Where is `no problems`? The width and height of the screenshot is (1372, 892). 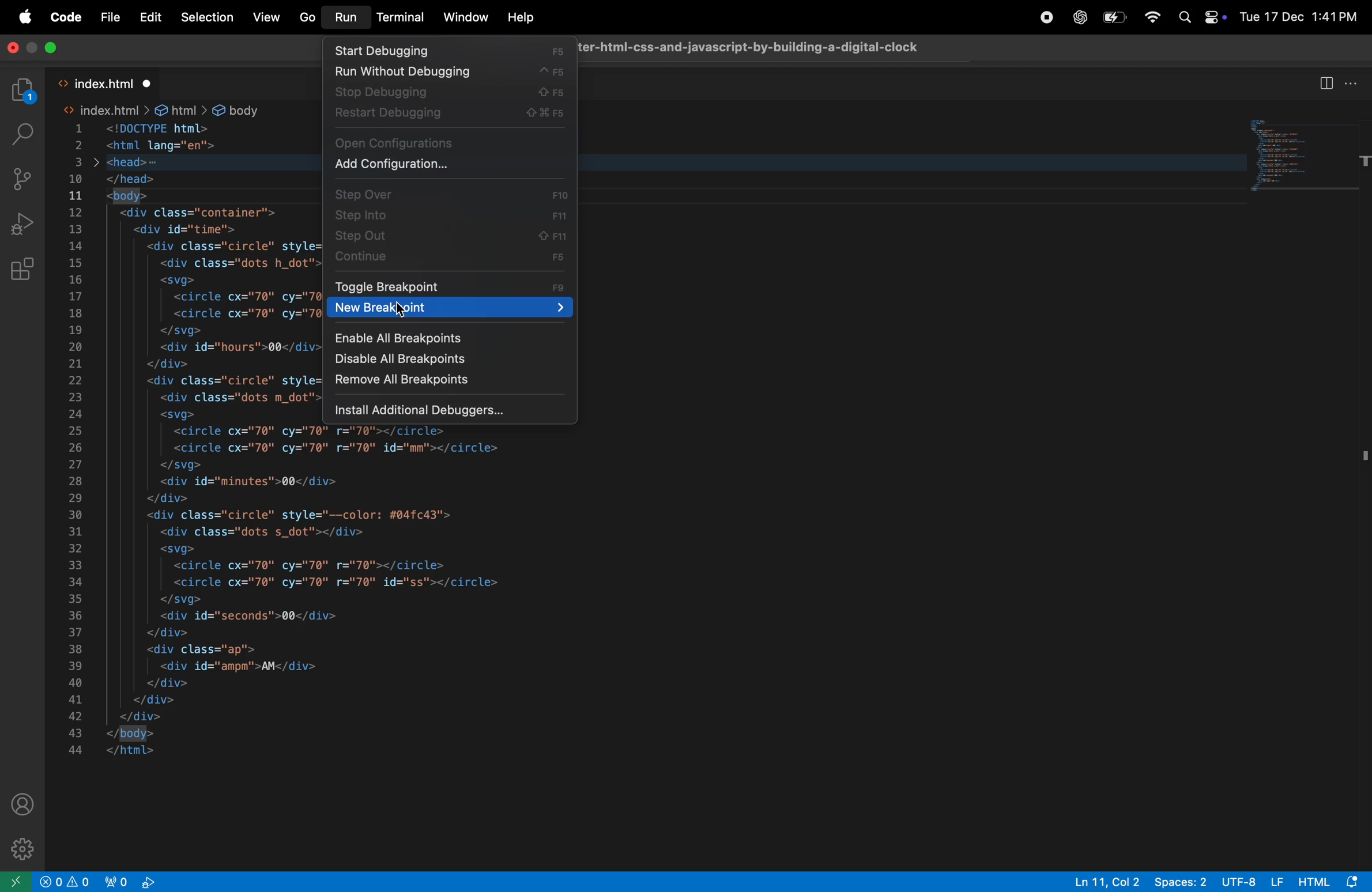
no problems is located at coordinates (67, 882).